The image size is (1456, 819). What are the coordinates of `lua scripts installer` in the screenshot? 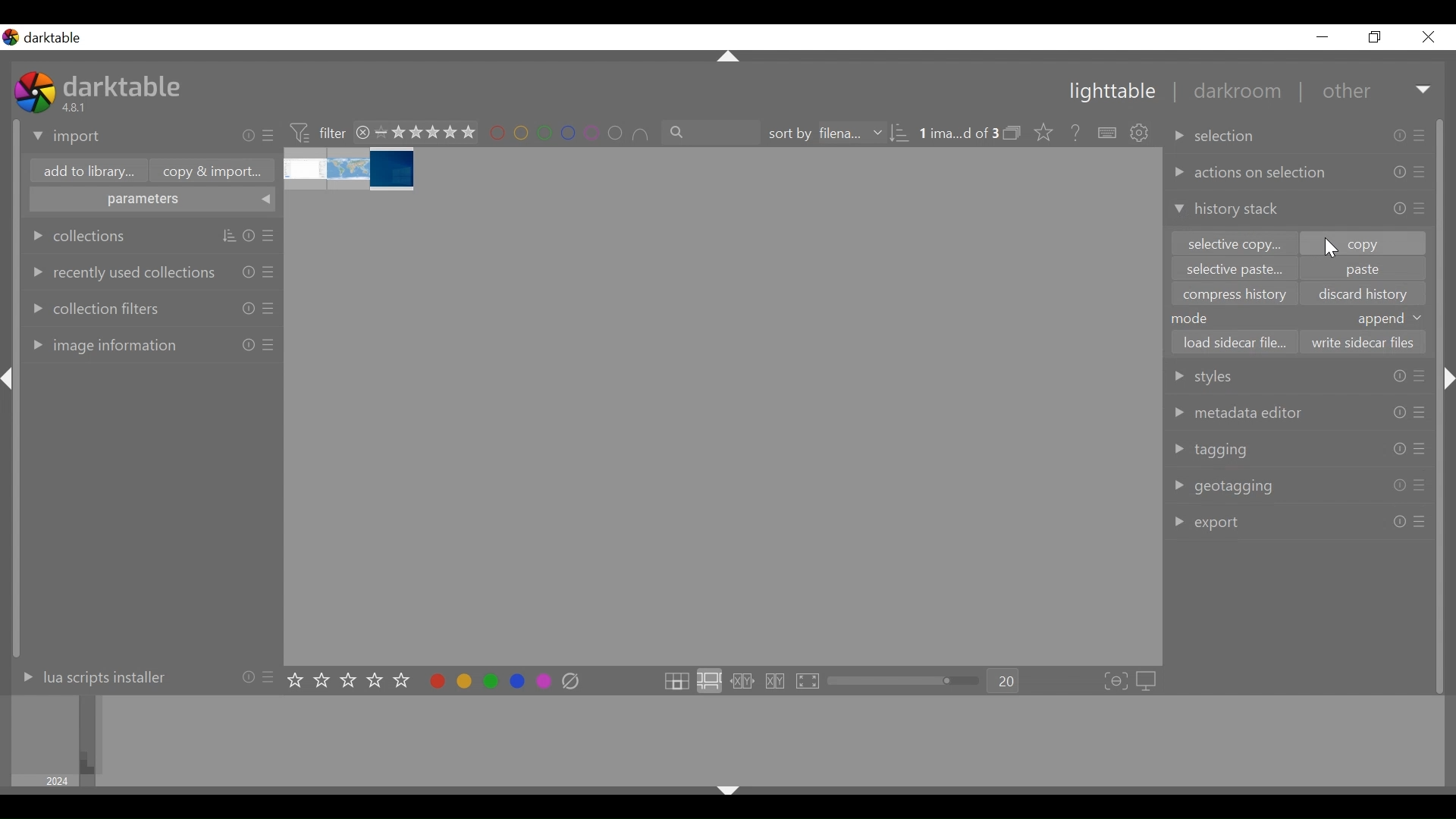 It's located at (90, 676).